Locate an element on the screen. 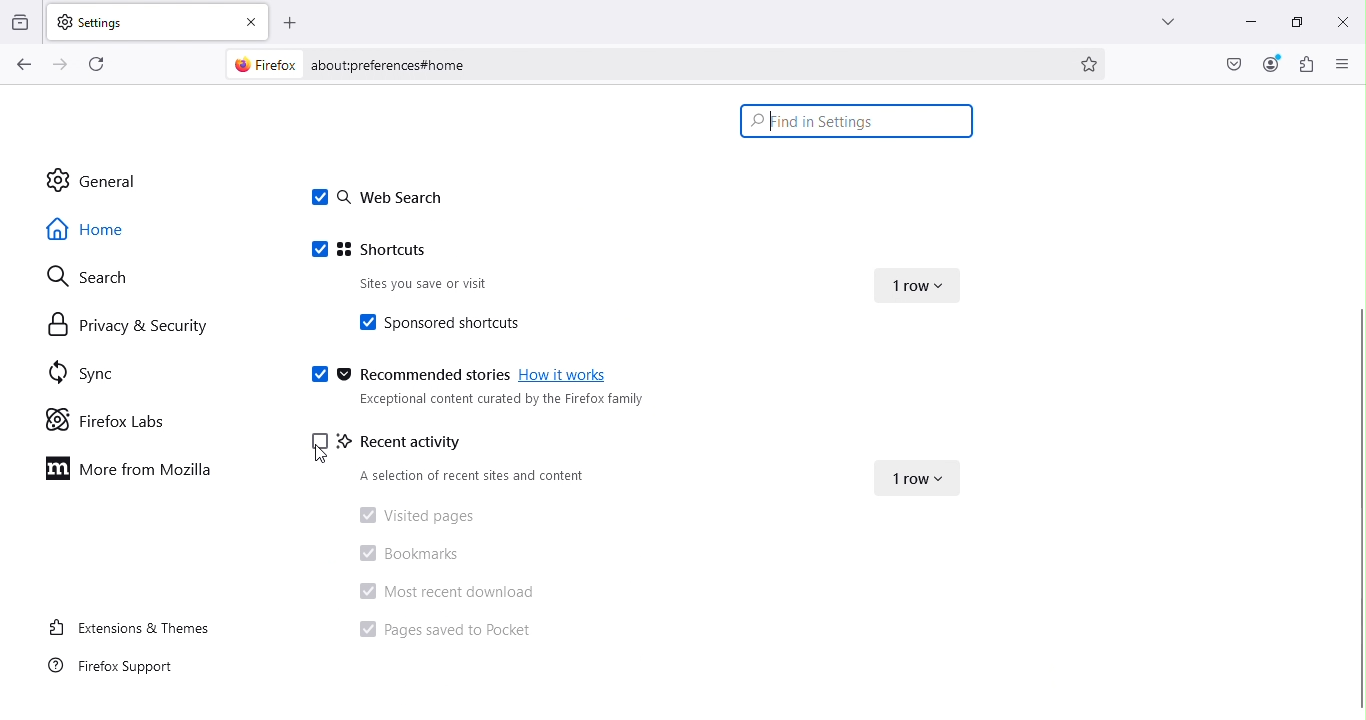 The image size is (1366, 720). Extensions is located at coordinates (1307, 64).